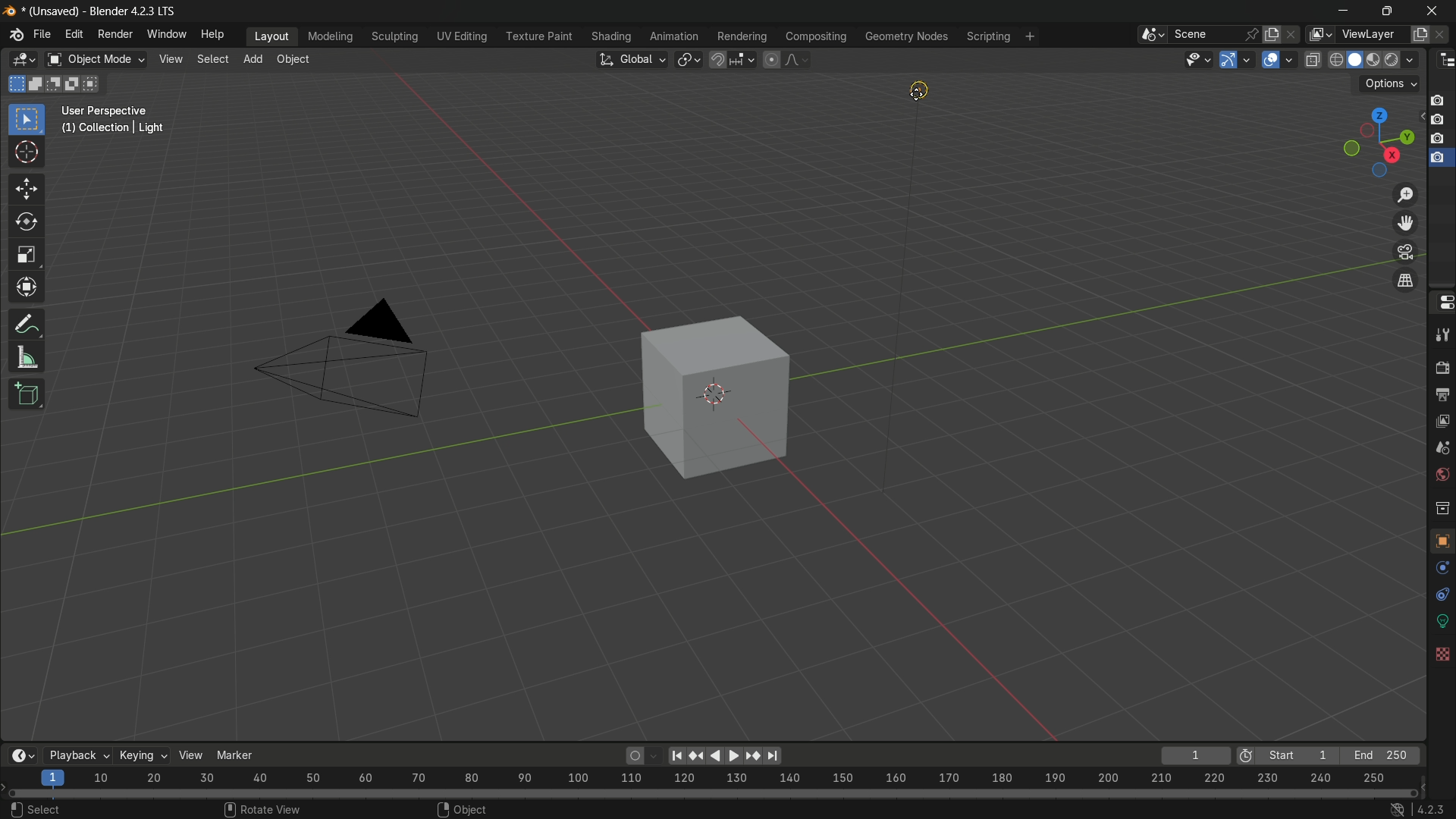 The width and height of the screenshot is (1456, 819). What do you see at coordinates (1229, 59) in the screenshot?
I see `show gizmos` at bounding box center [1229, 59].